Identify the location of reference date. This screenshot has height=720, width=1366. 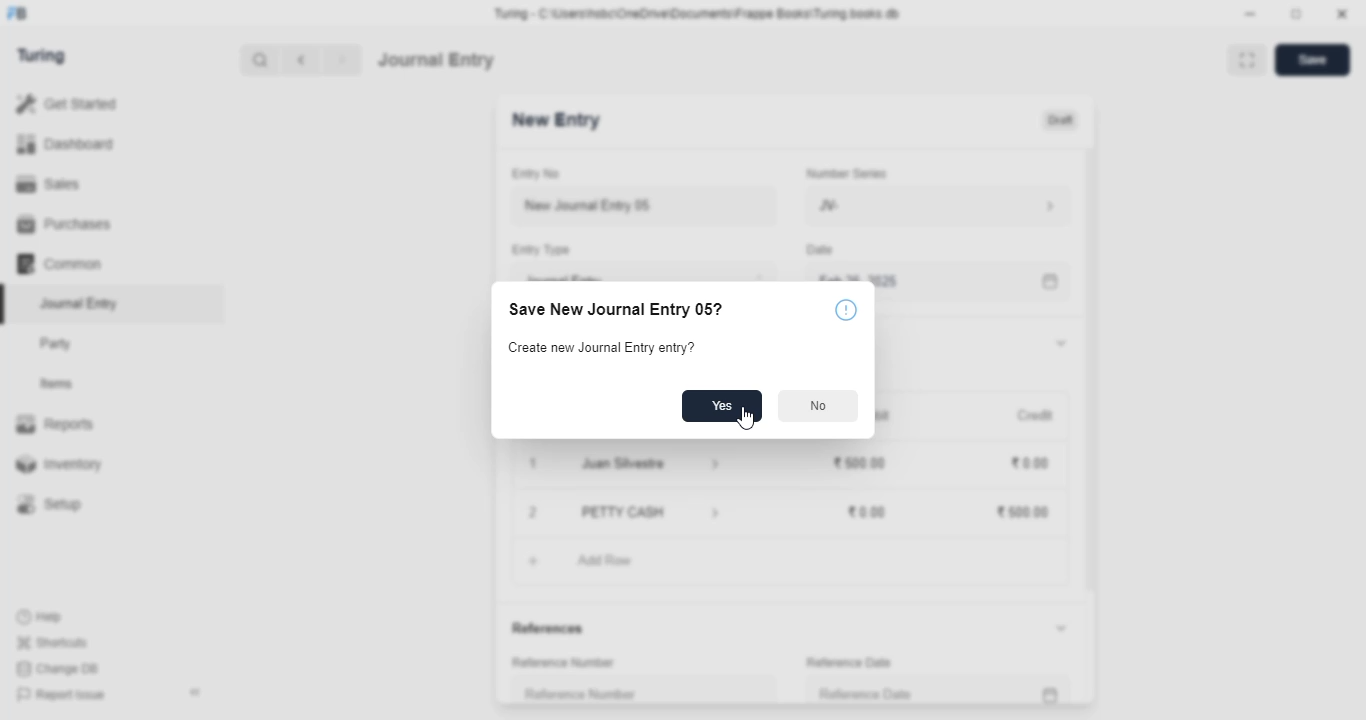
(909, 691).